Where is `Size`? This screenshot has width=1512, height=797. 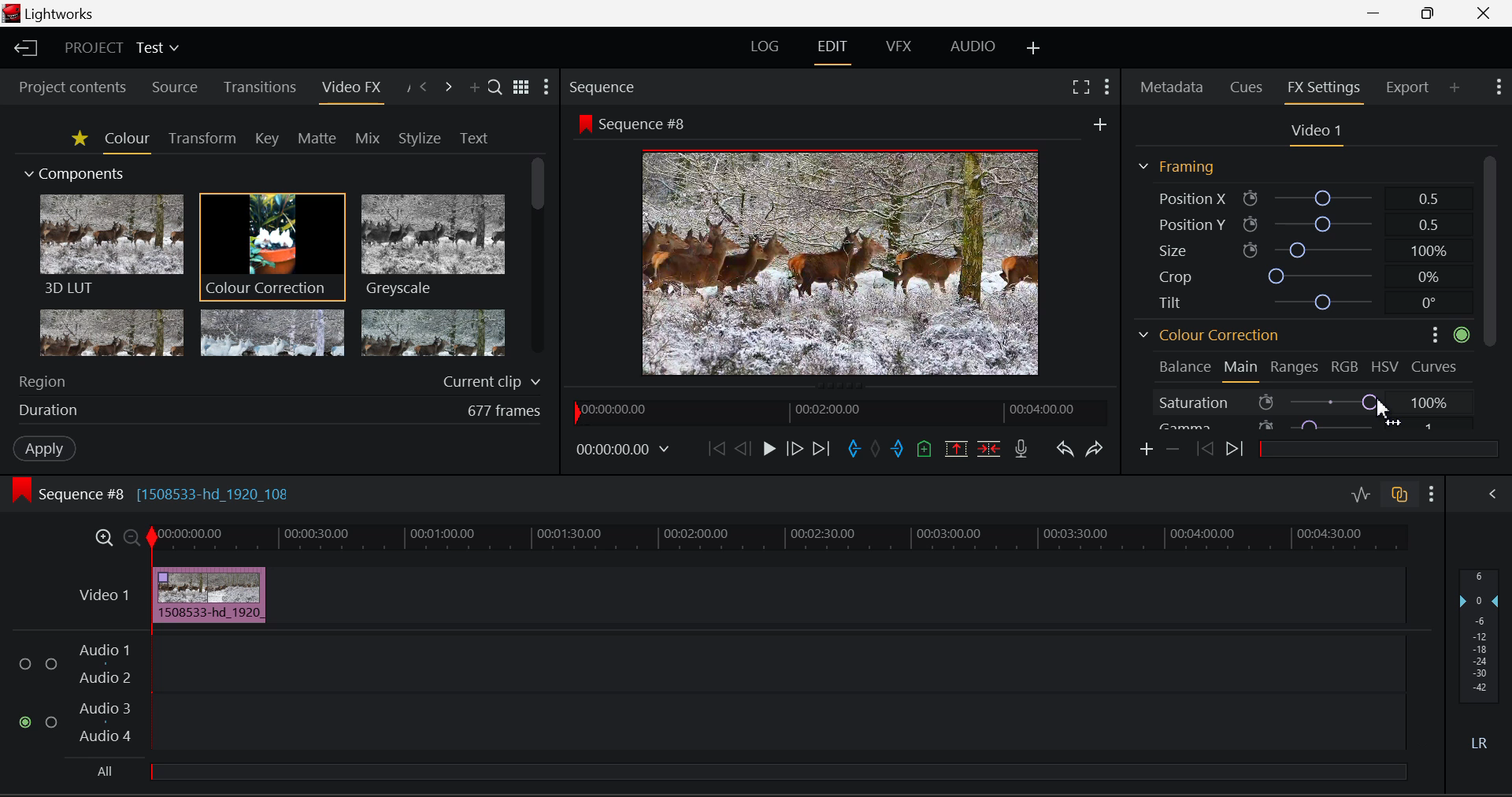
Size is located at coordinates (1296, 250).